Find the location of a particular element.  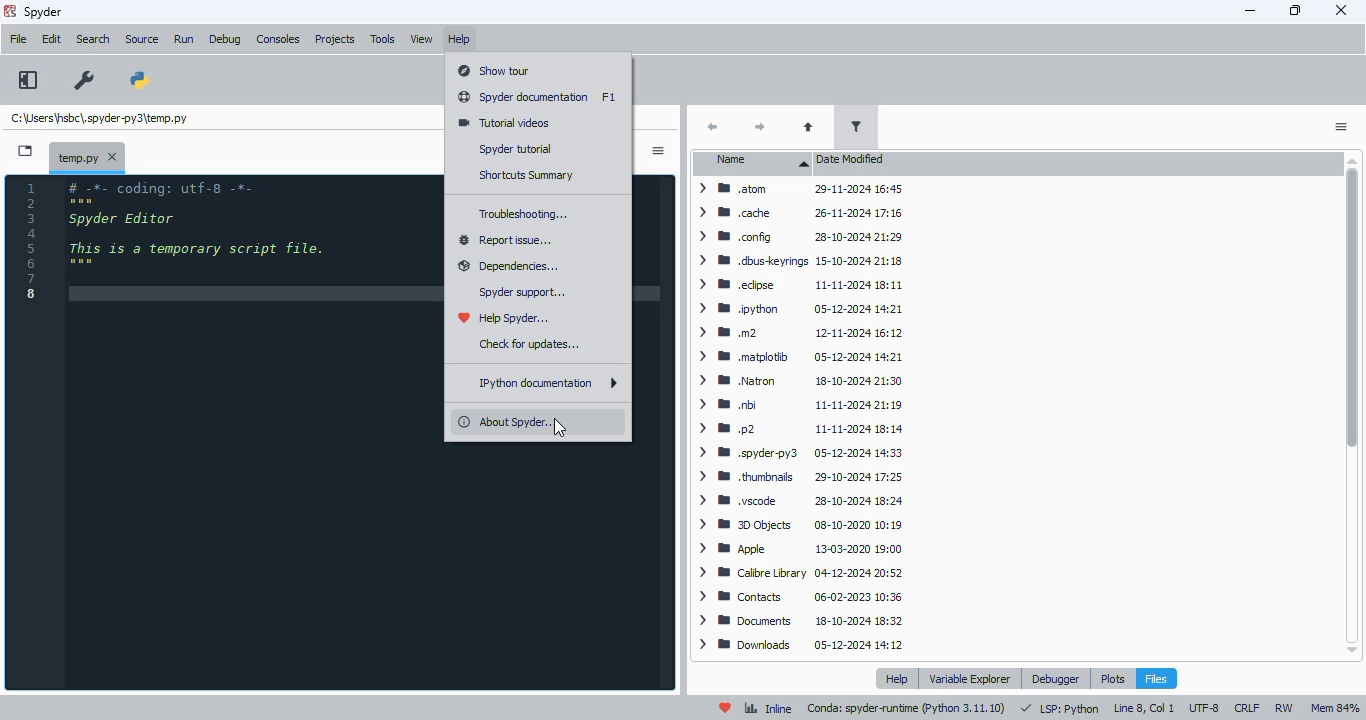

inline is located at coordinates (768, 708).